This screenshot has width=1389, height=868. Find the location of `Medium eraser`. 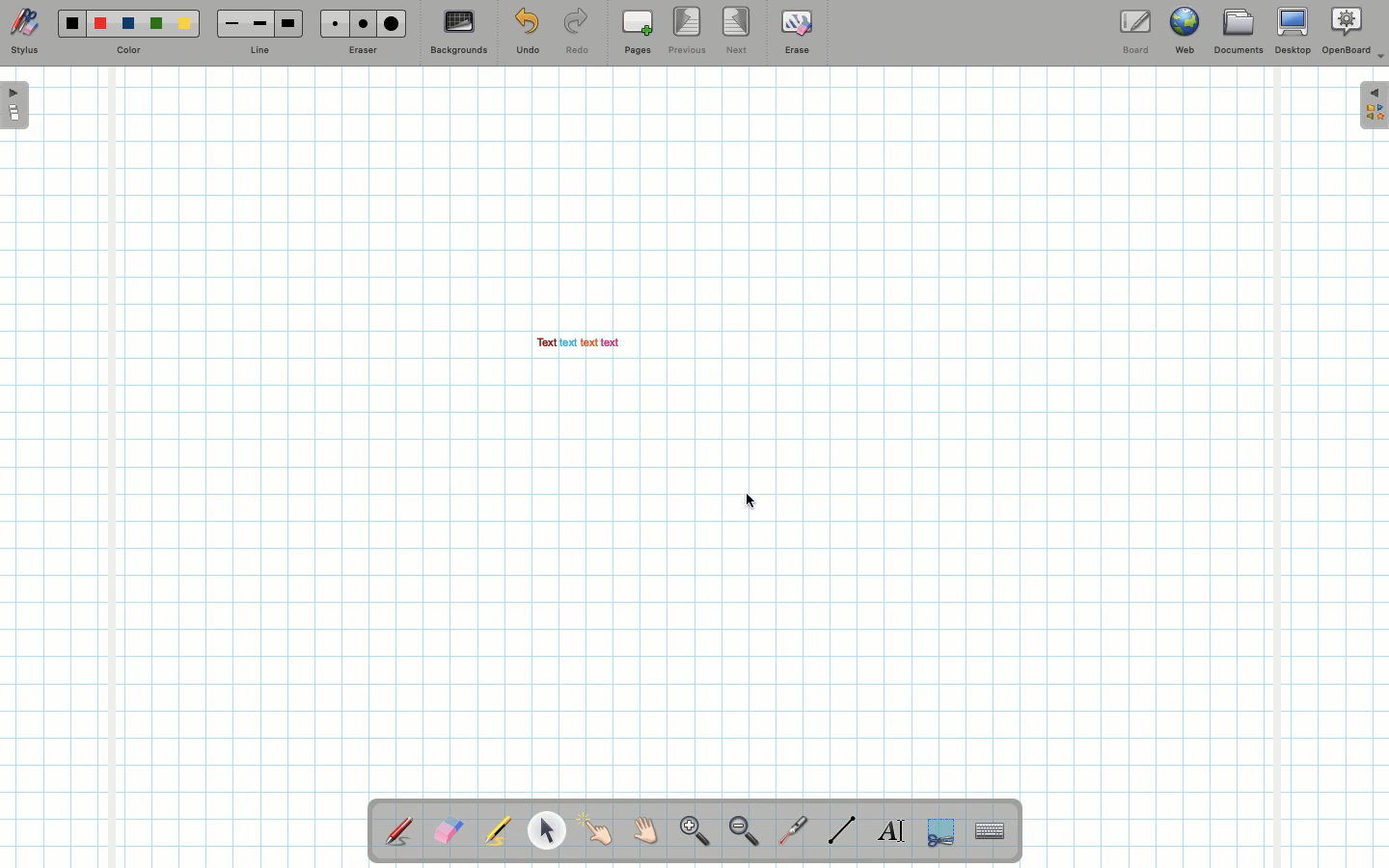

Medium eraser is located at coordinates (360, 23).